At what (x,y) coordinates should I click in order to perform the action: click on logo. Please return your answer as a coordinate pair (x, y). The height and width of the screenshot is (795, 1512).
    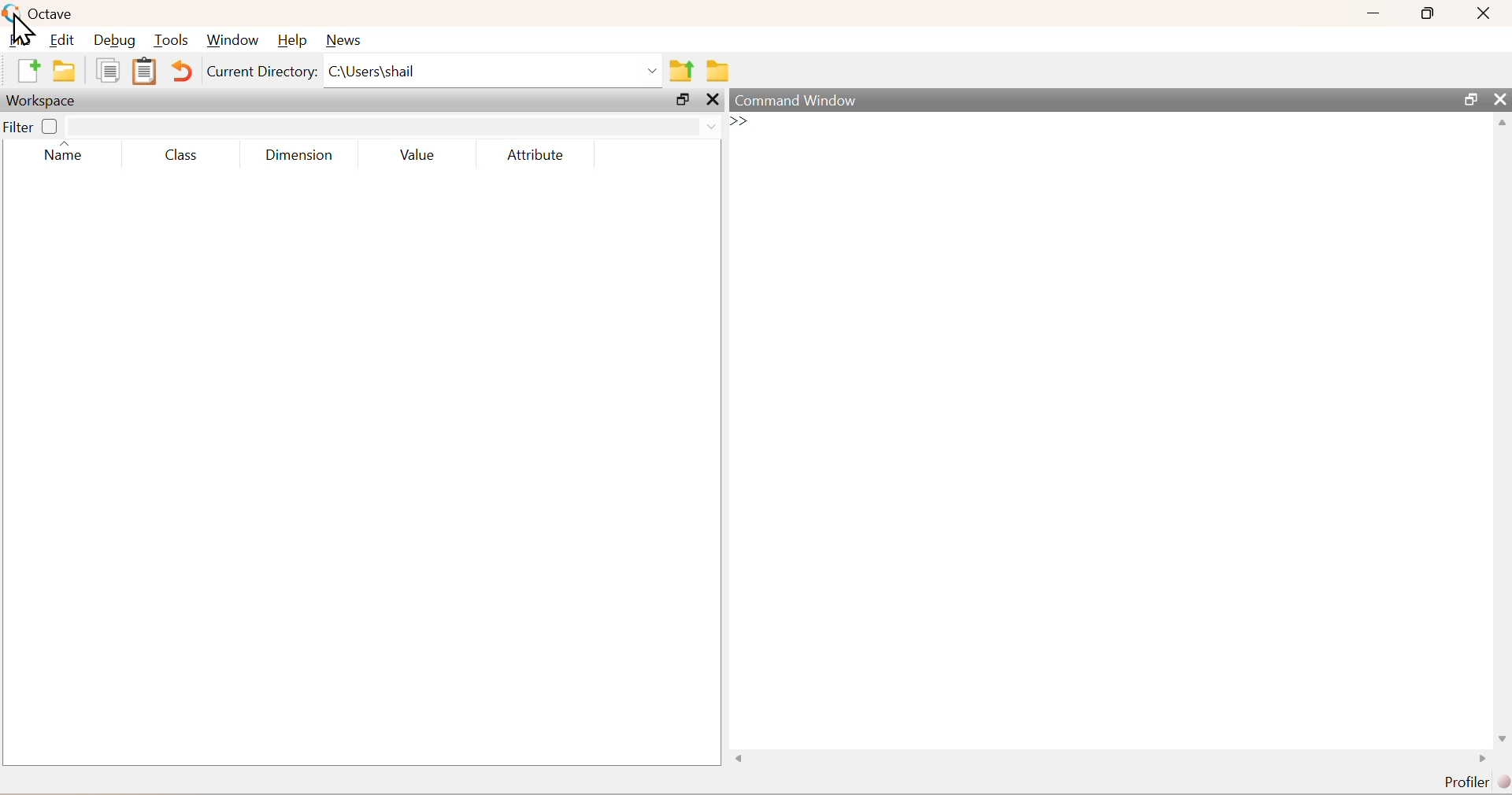
    Looking at the image, I should click on (11, 13).